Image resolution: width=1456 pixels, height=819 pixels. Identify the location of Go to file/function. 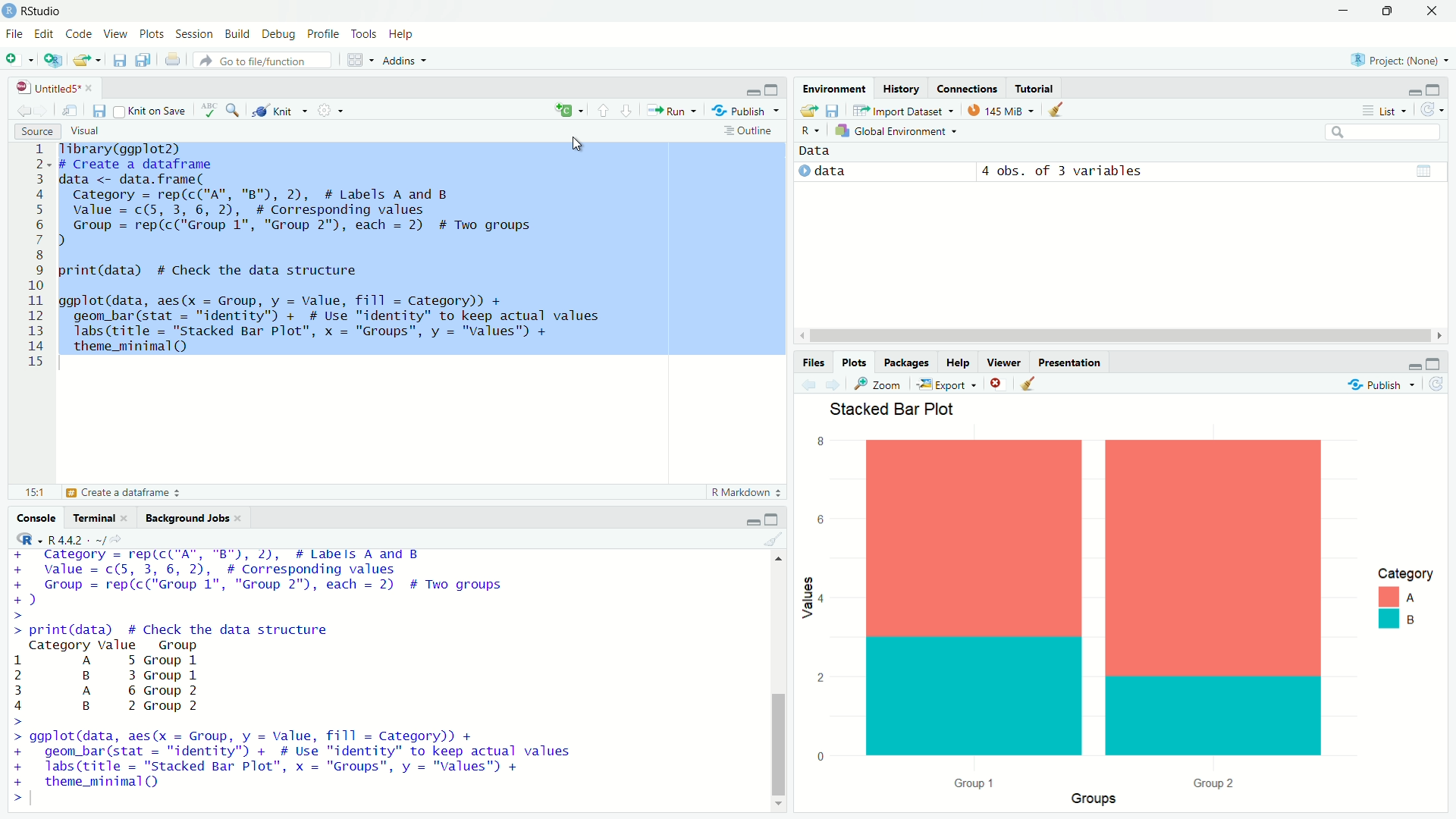
(265, 60).